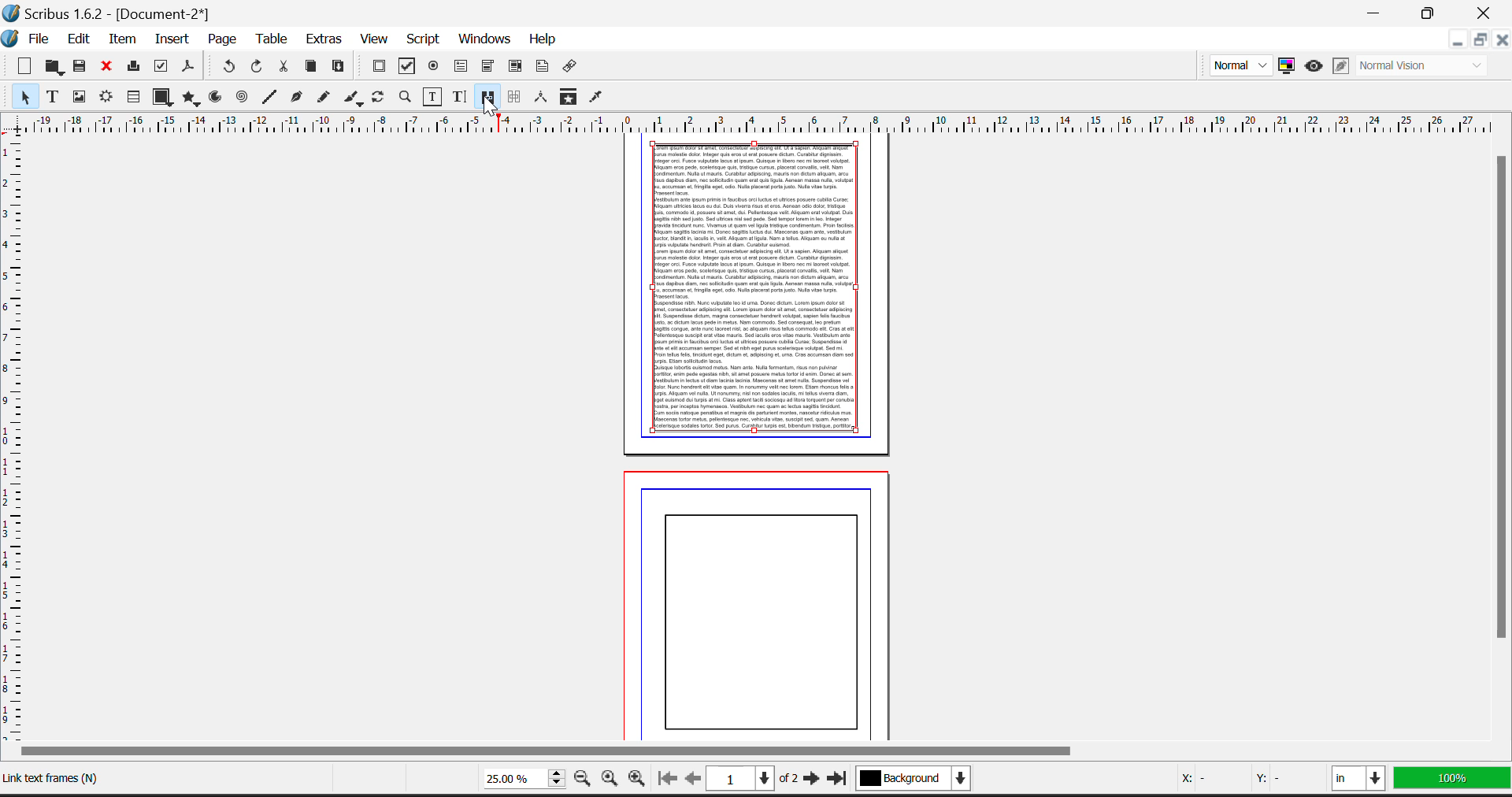  Describe the element at coordinates (407, 66) in the screenshot. I see `PDF Checkbox` at that location.